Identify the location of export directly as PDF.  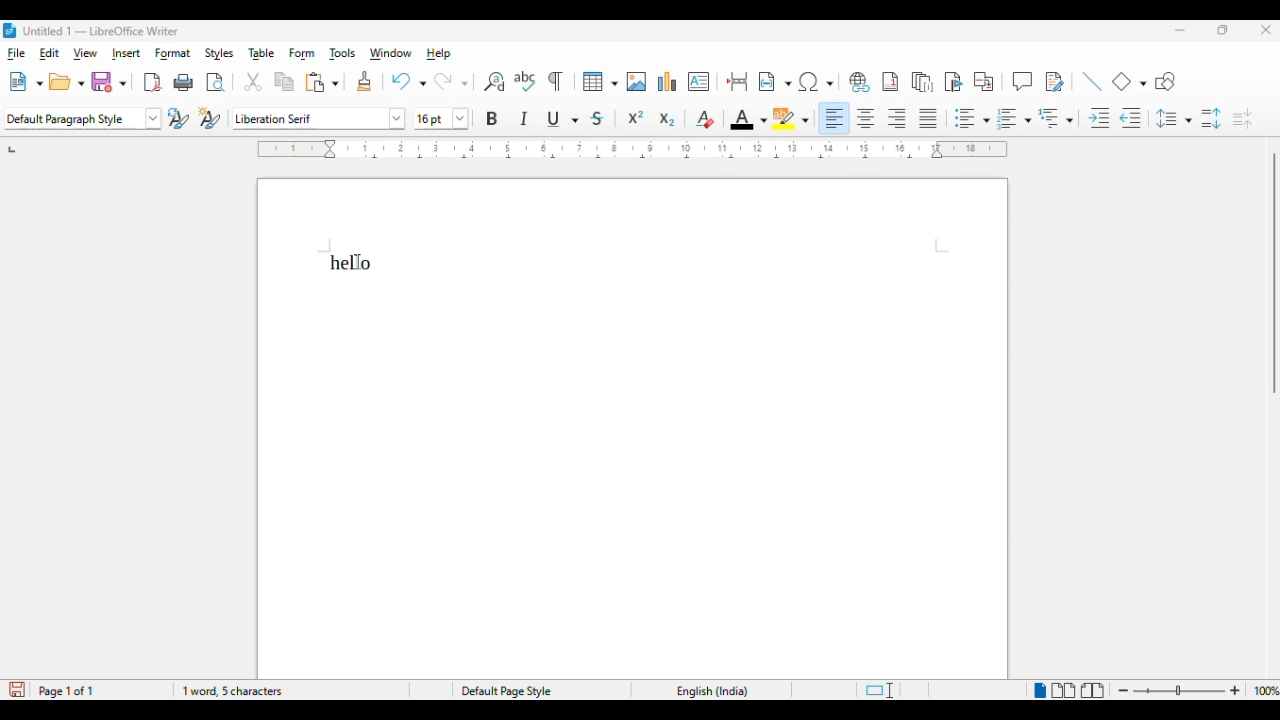
(152, 83).